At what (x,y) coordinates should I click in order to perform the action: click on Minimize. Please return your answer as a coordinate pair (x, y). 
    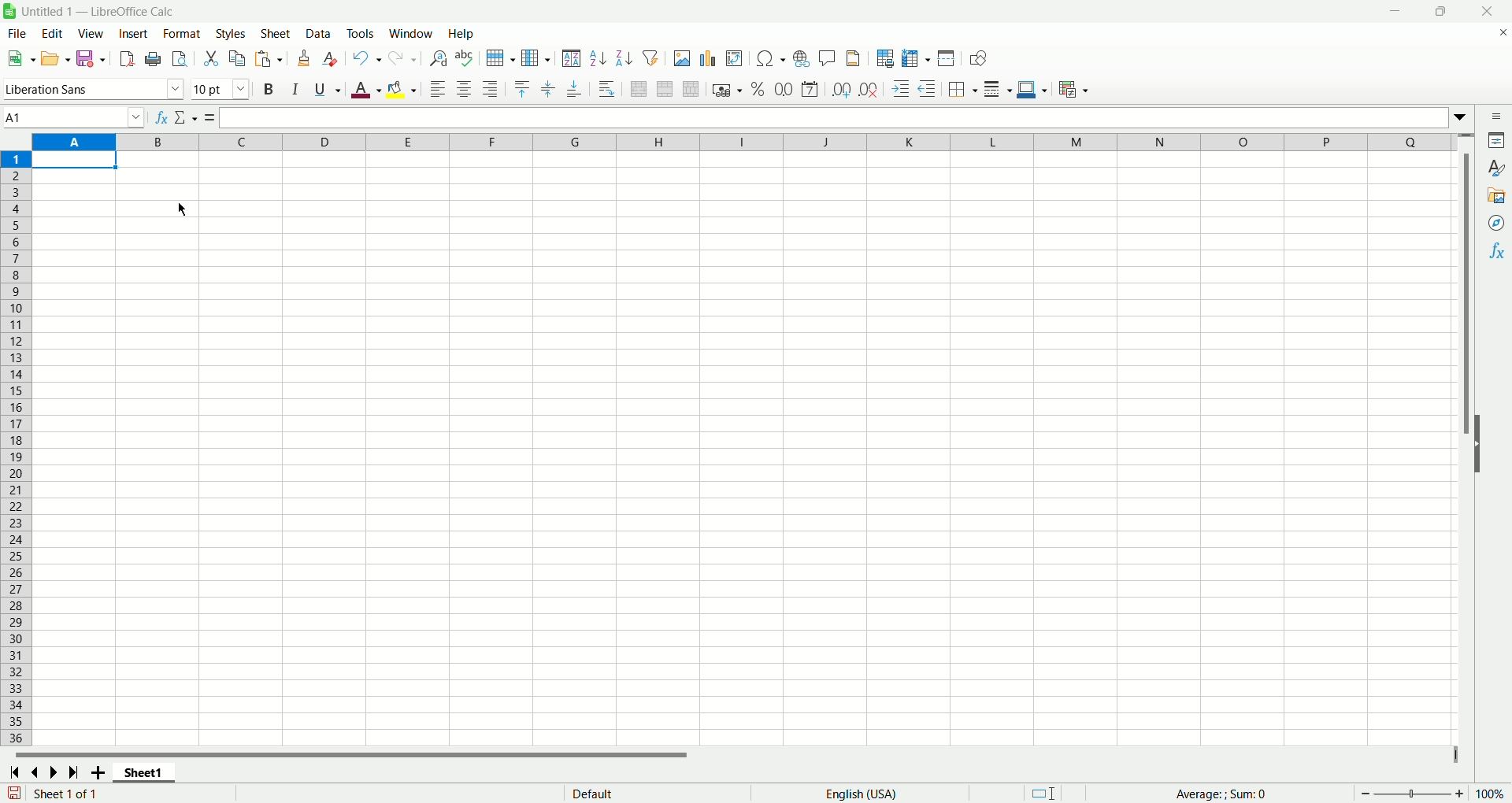
    Looking at the image, I should click on (1399, 13).